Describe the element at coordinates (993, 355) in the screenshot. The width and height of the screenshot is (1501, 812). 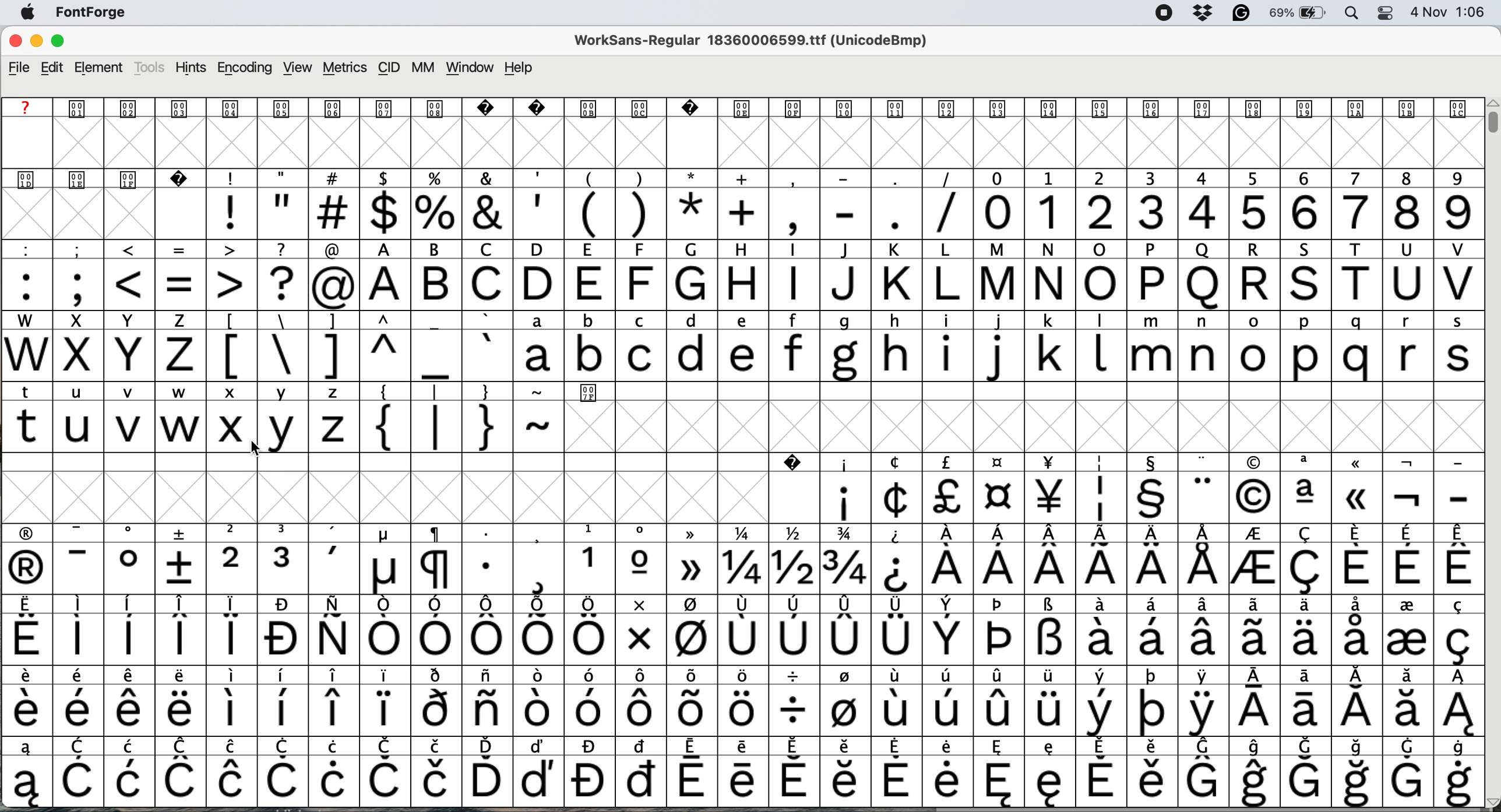
I see `lower case letters a to s` at that location.